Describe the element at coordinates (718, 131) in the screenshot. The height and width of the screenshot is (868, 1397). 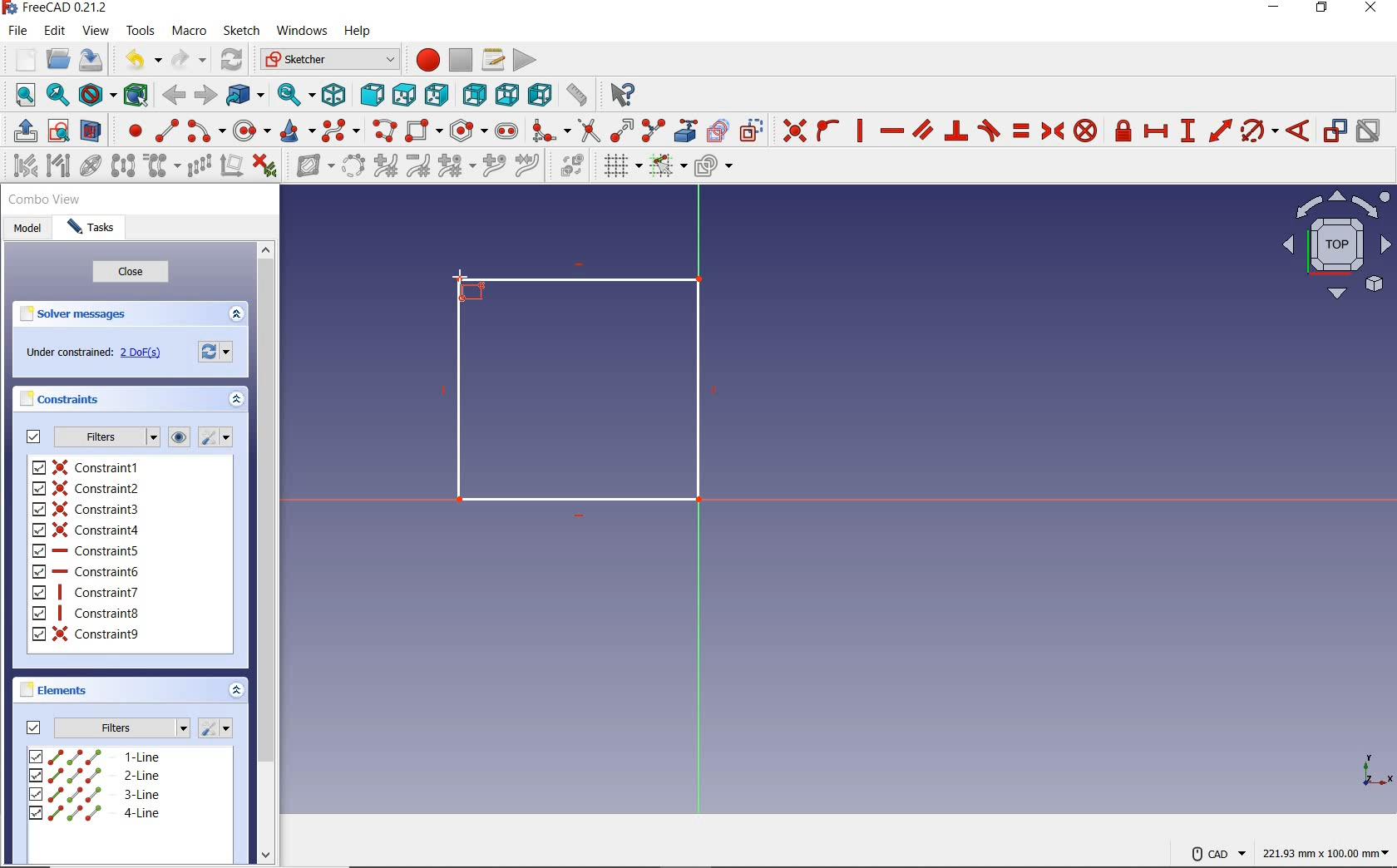
I see `create carbon copy` at that location.